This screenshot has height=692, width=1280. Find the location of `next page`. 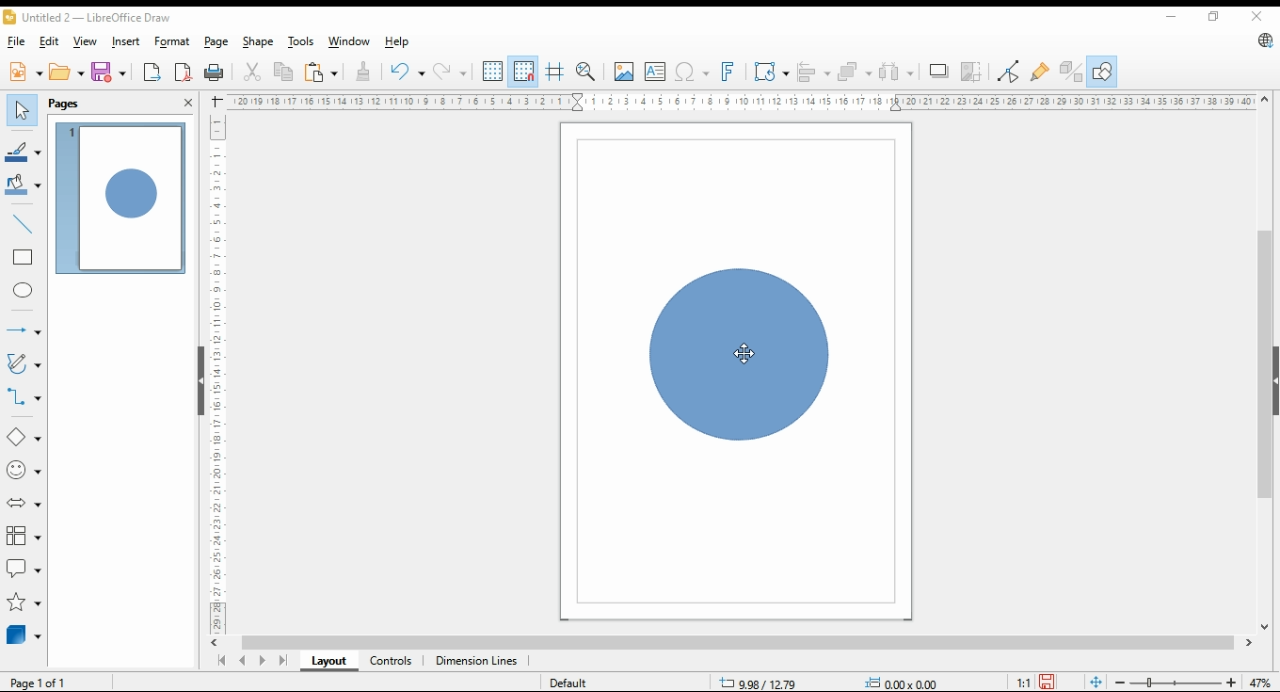

next page is located at coordinates (261, 660).